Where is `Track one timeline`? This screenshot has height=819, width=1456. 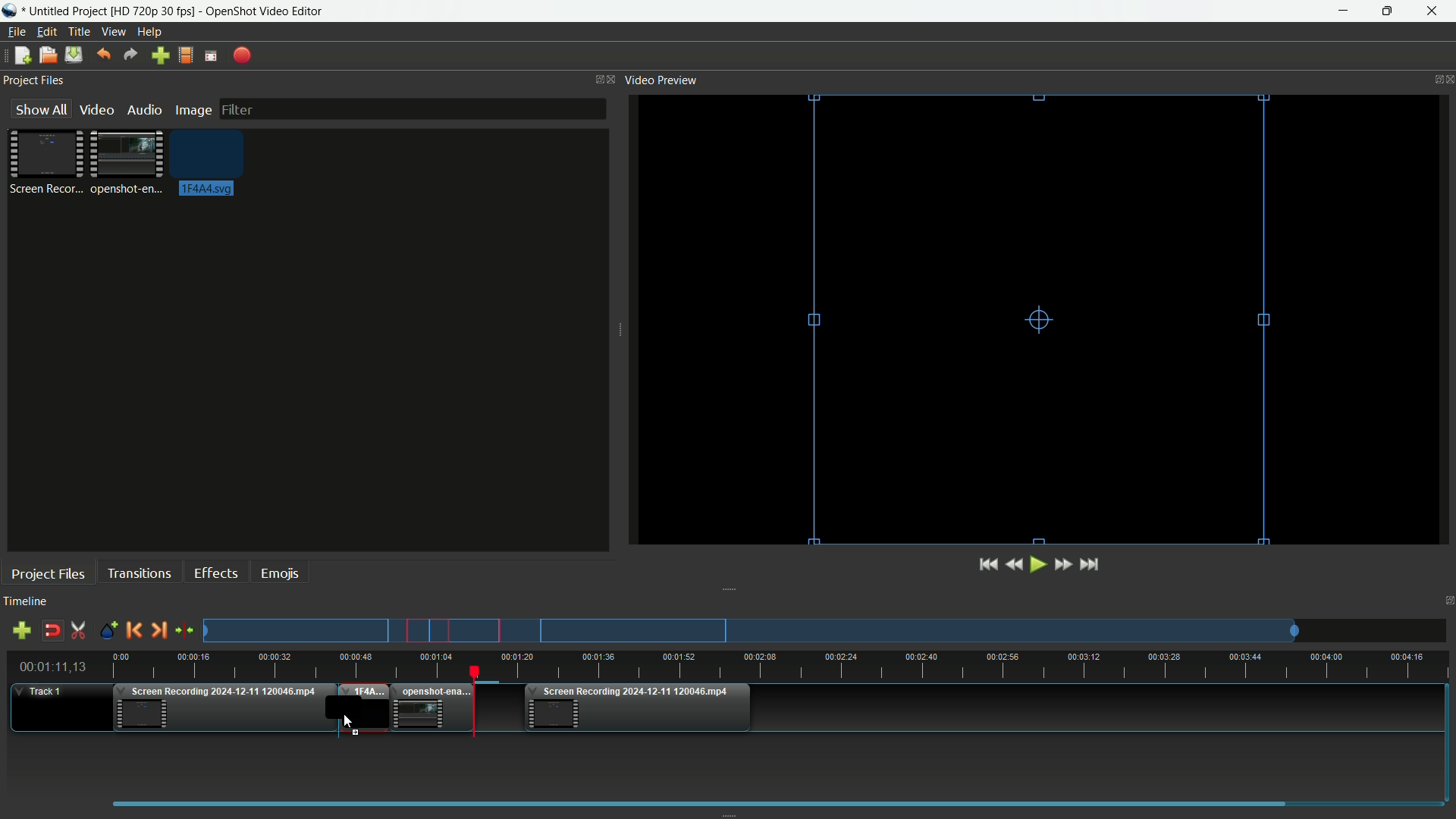 Track one timeline is located at coordinates (42, 692).